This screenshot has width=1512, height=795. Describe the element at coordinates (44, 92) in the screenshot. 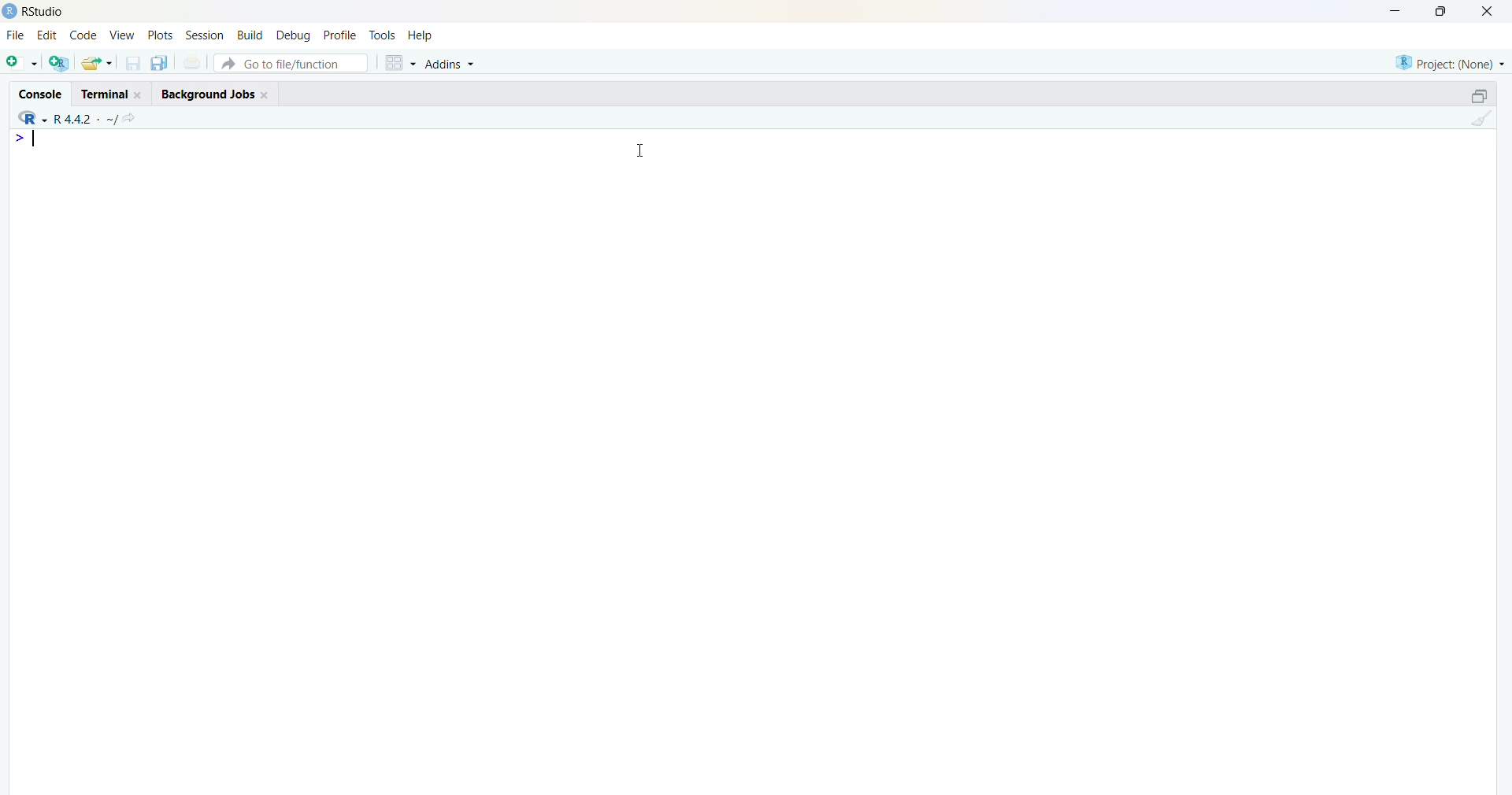

I see `Console` at that location.